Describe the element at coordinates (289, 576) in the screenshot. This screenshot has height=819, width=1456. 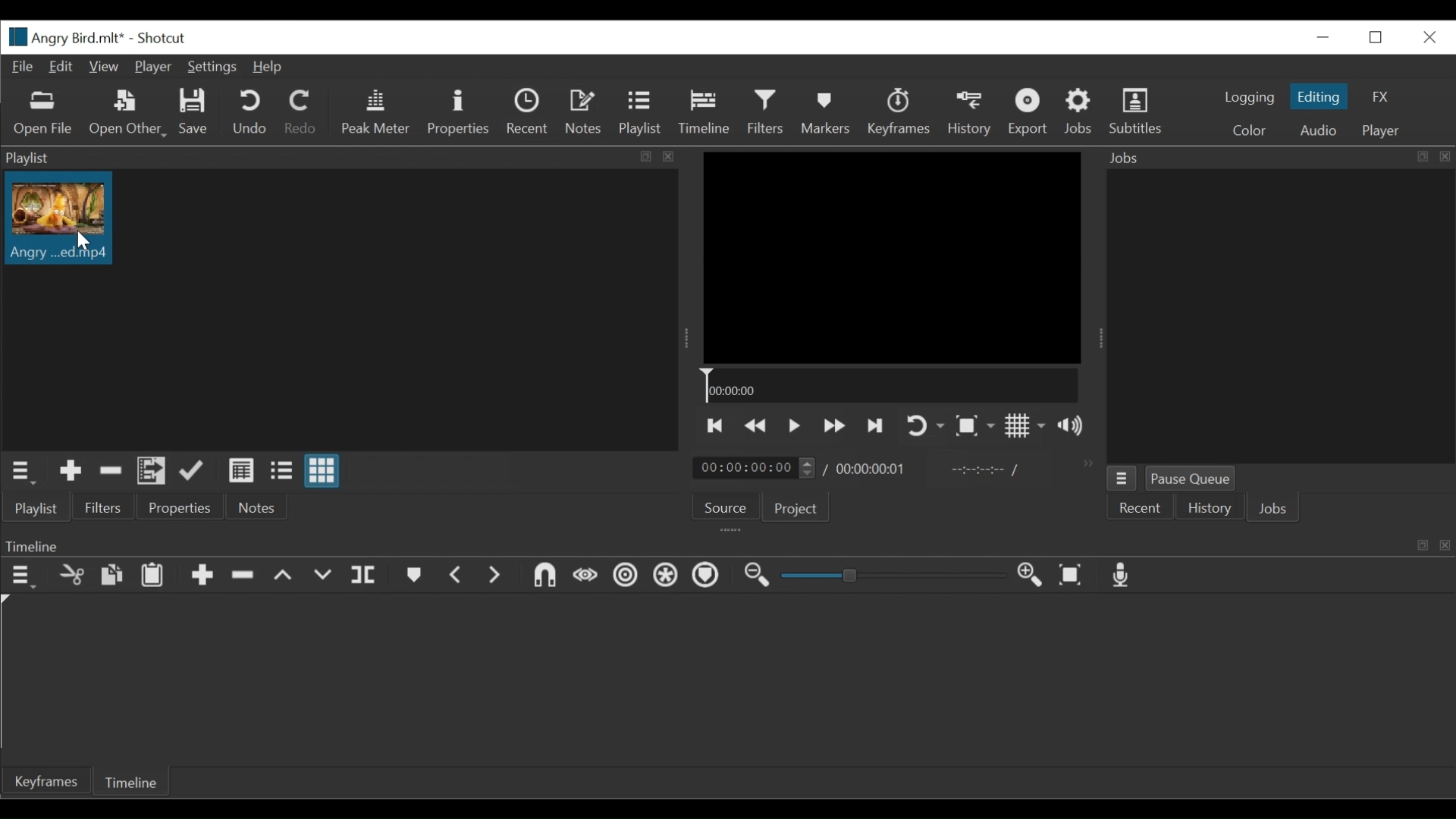
I see `up` at that location.